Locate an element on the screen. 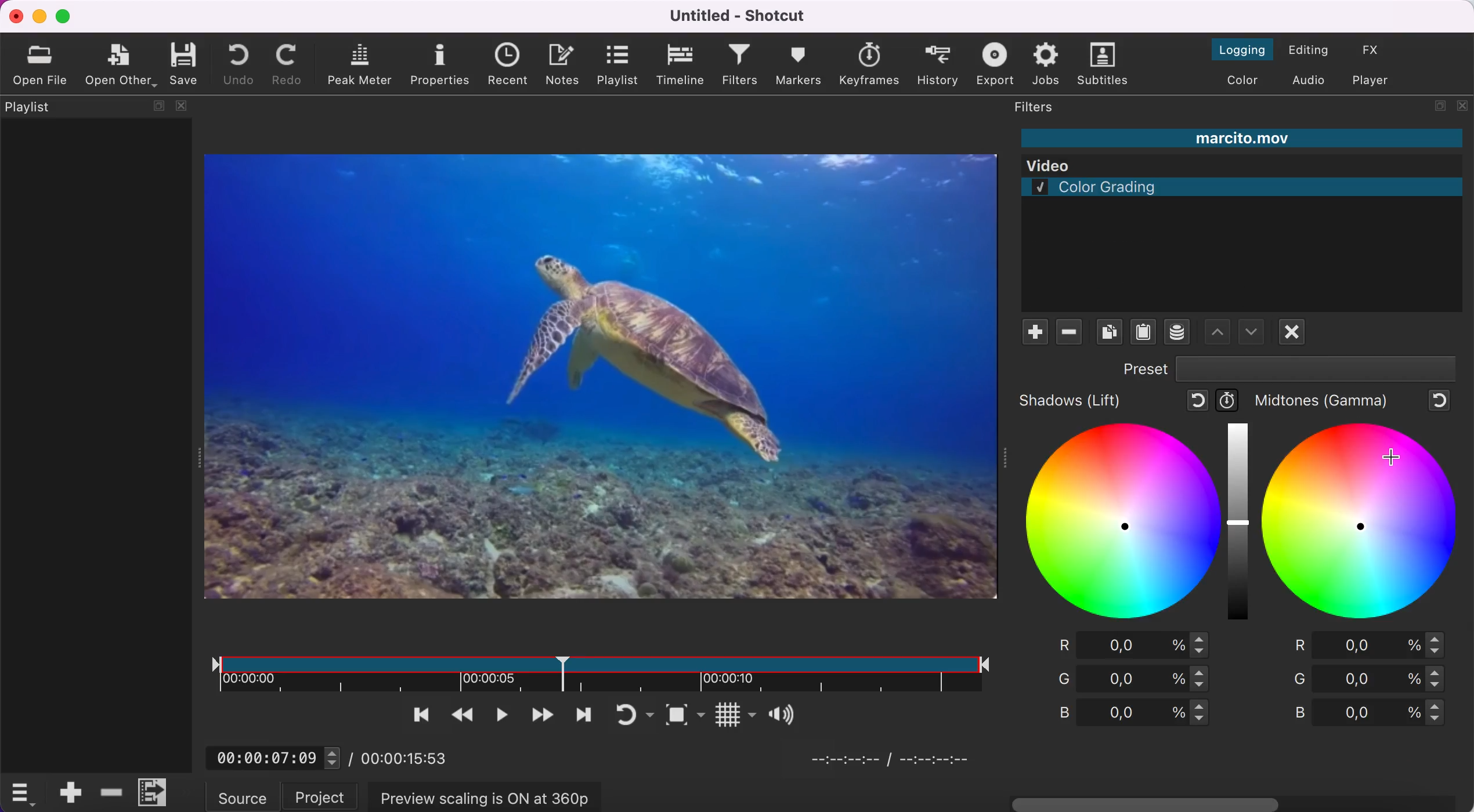 This screenshot has width=1474, height=812. play quickly backwards is located at coordinates (460, 715).